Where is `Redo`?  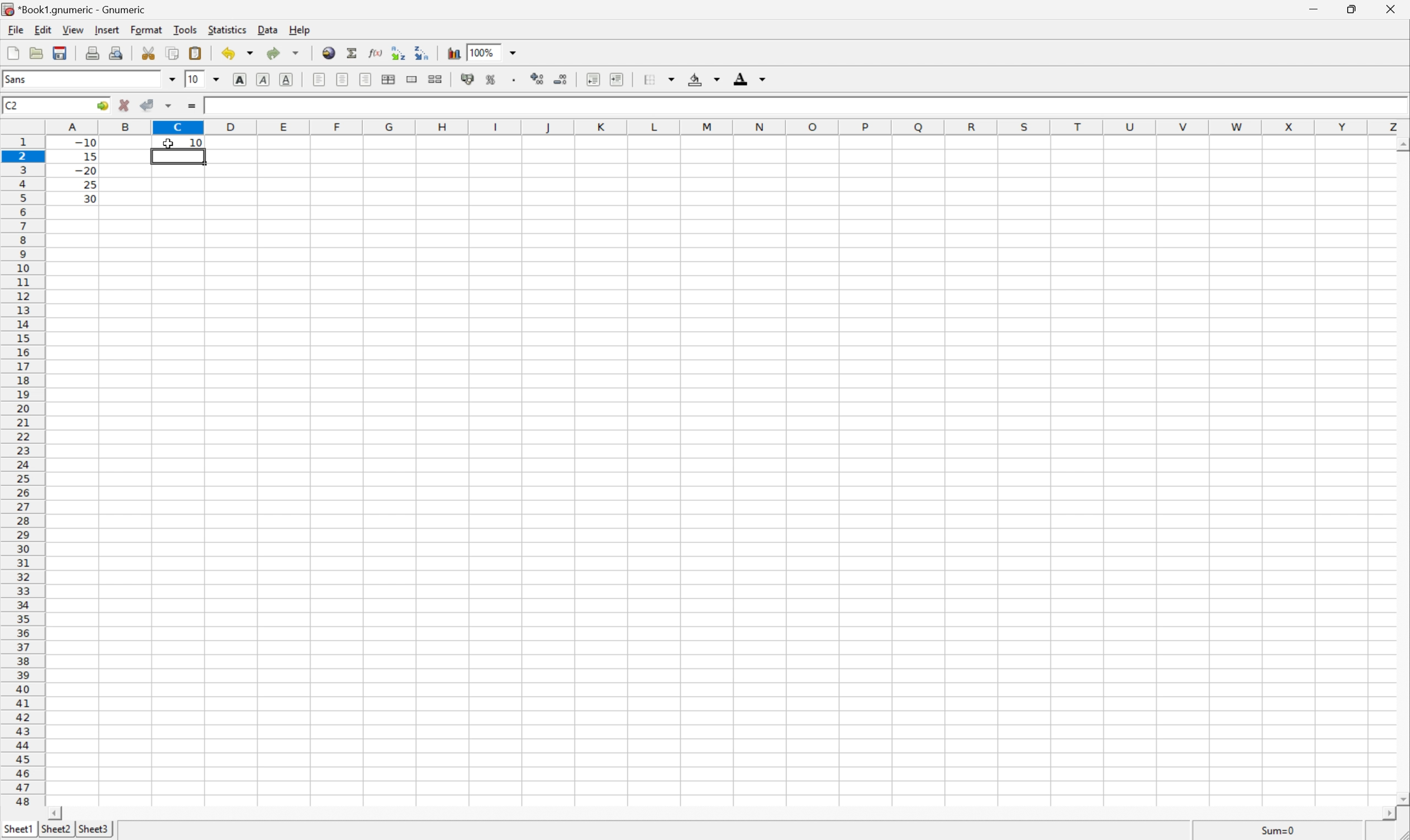 Redo is located at coordinates (285, 54).